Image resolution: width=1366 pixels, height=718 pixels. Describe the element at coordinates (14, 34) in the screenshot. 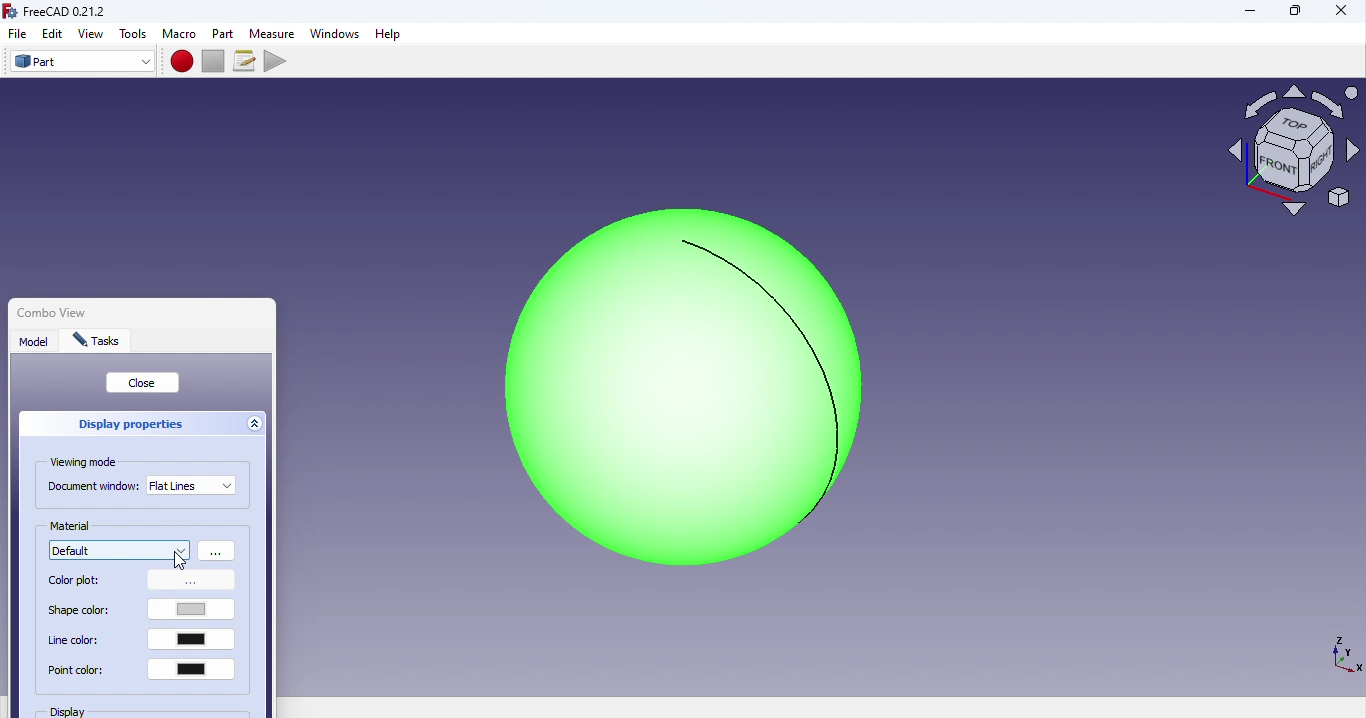

I see `File` at that location.